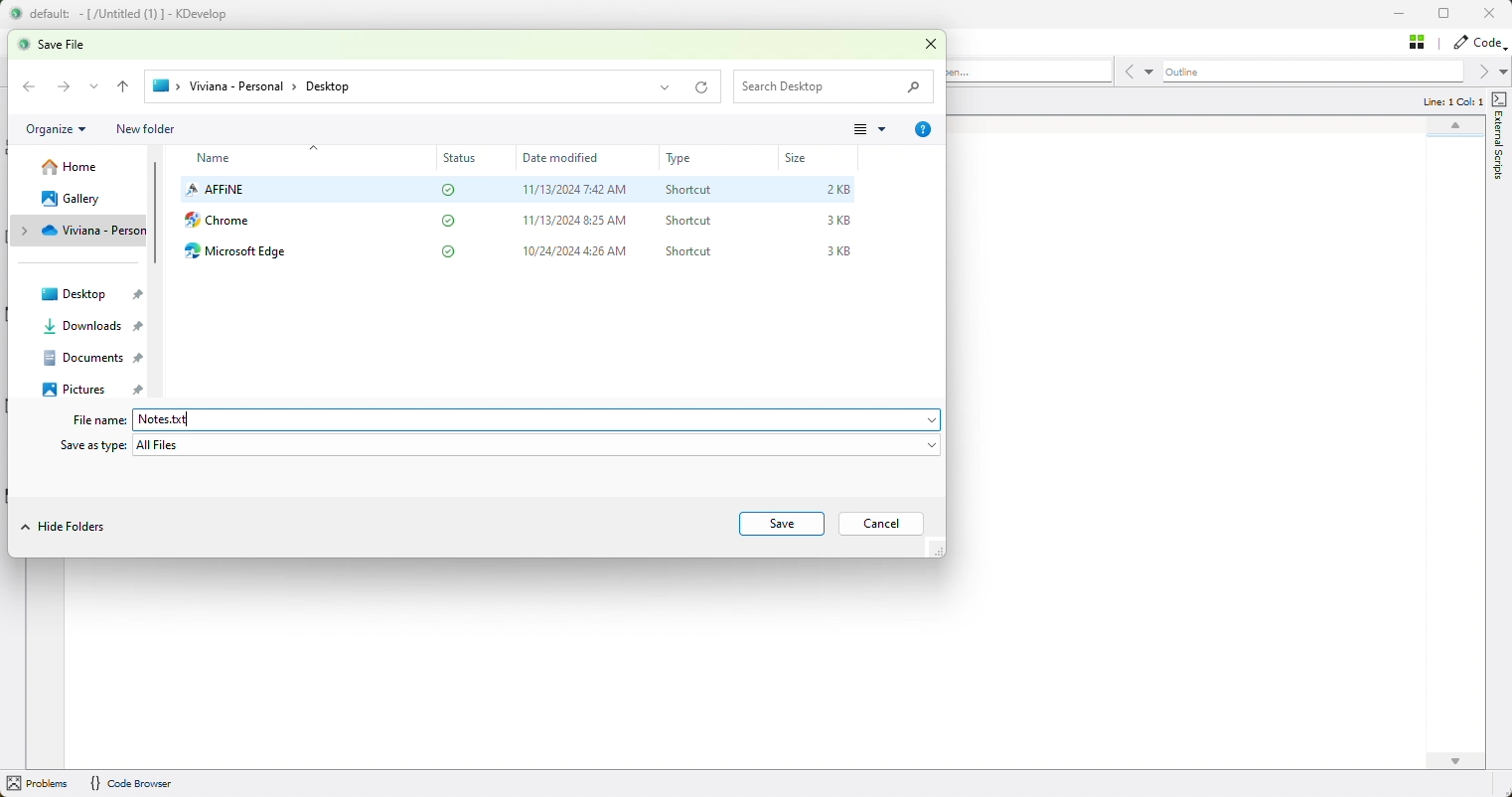 The image size is (1512, 797). What do you see at coordinates (838, 220) in the screenshot?
I see `3KB` at bounding box center [838, 220].